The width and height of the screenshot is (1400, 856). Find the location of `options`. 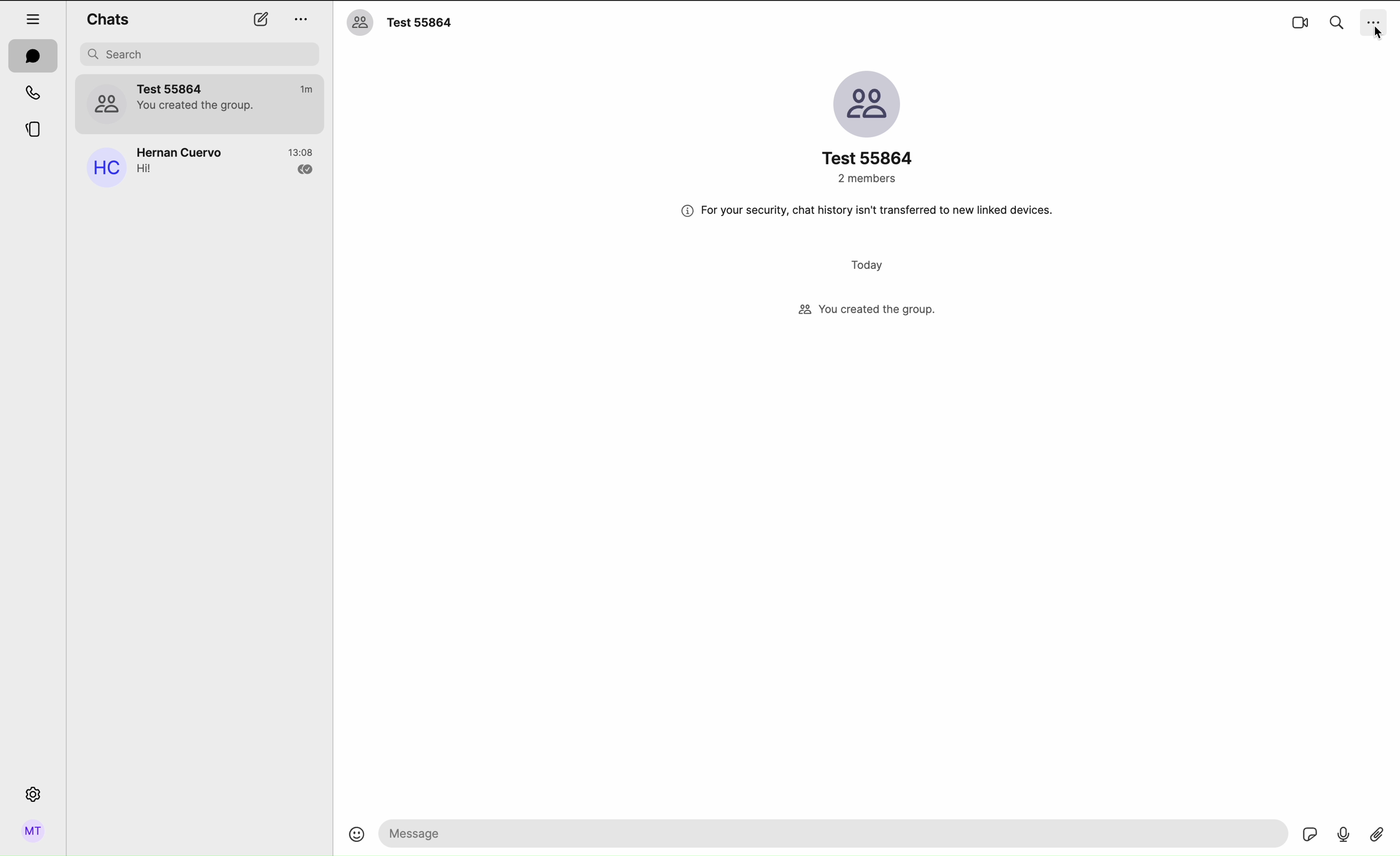

options is located at coordinates (1371, 18).